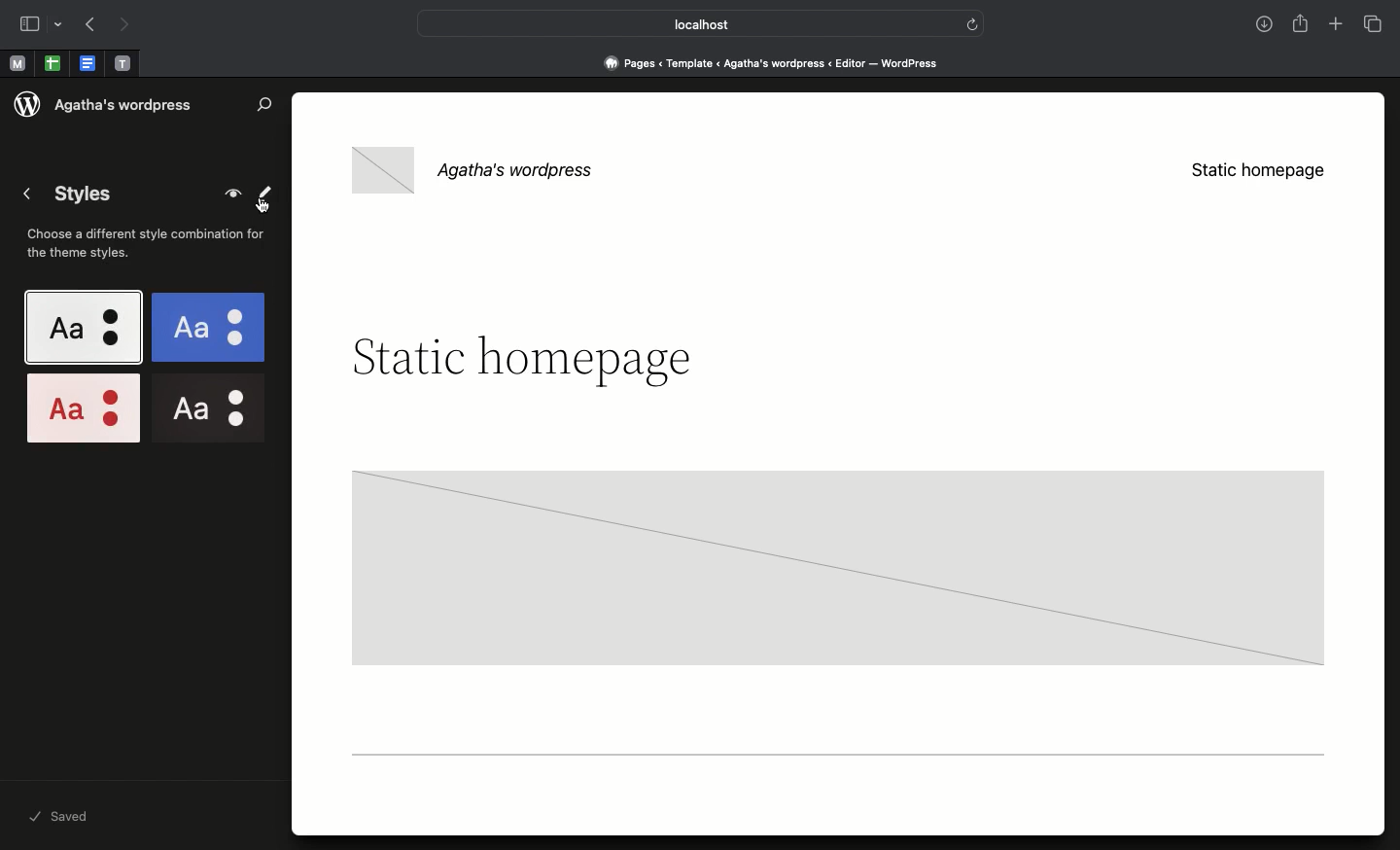 The image size is (1400, 850). What do you see at coordinates (124, 25) in the screenshot?
I see `Next page` at bounding box center [124, 25].